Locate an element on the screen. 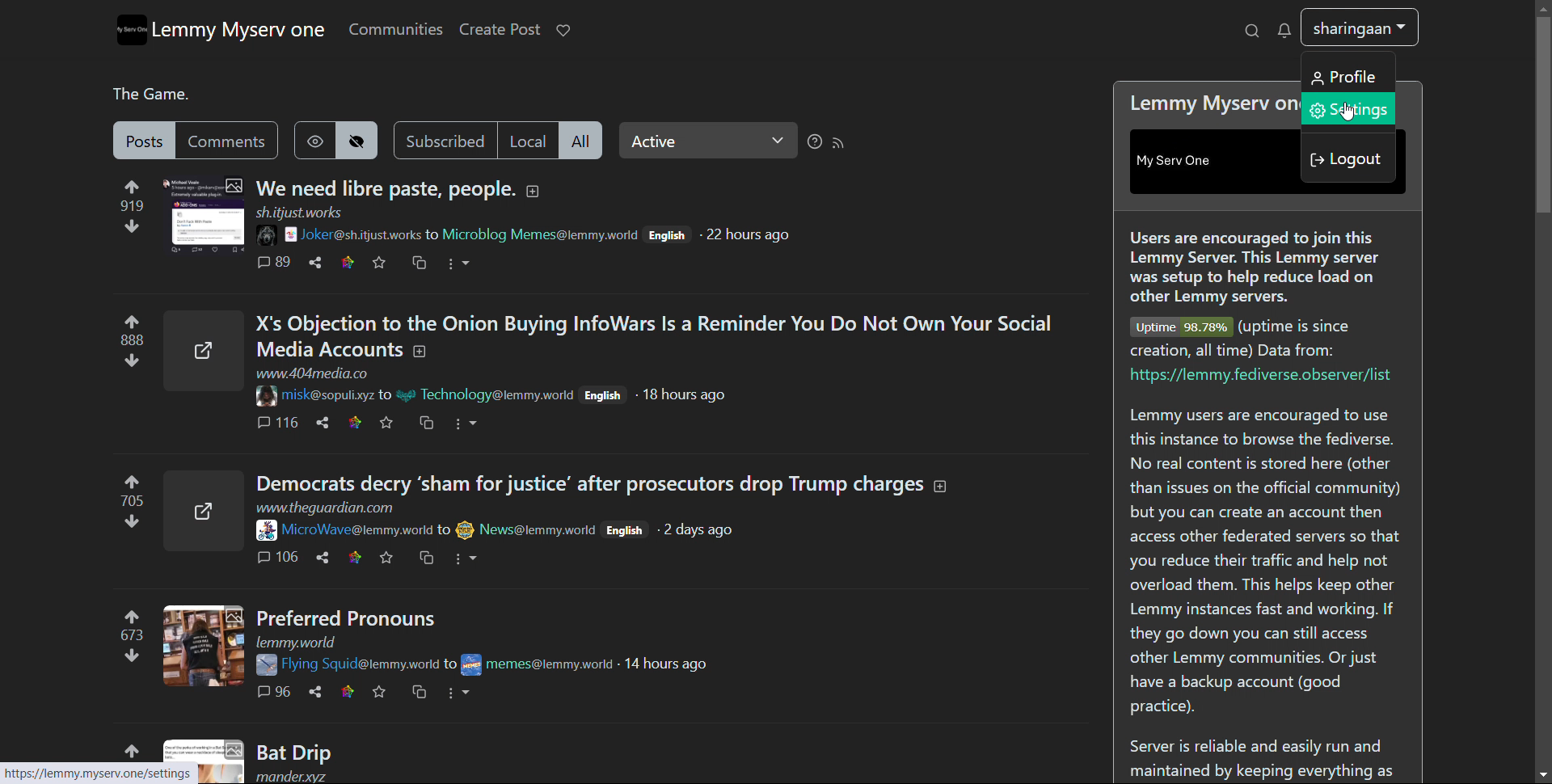  time of posting is located at coordinates (750, 235).